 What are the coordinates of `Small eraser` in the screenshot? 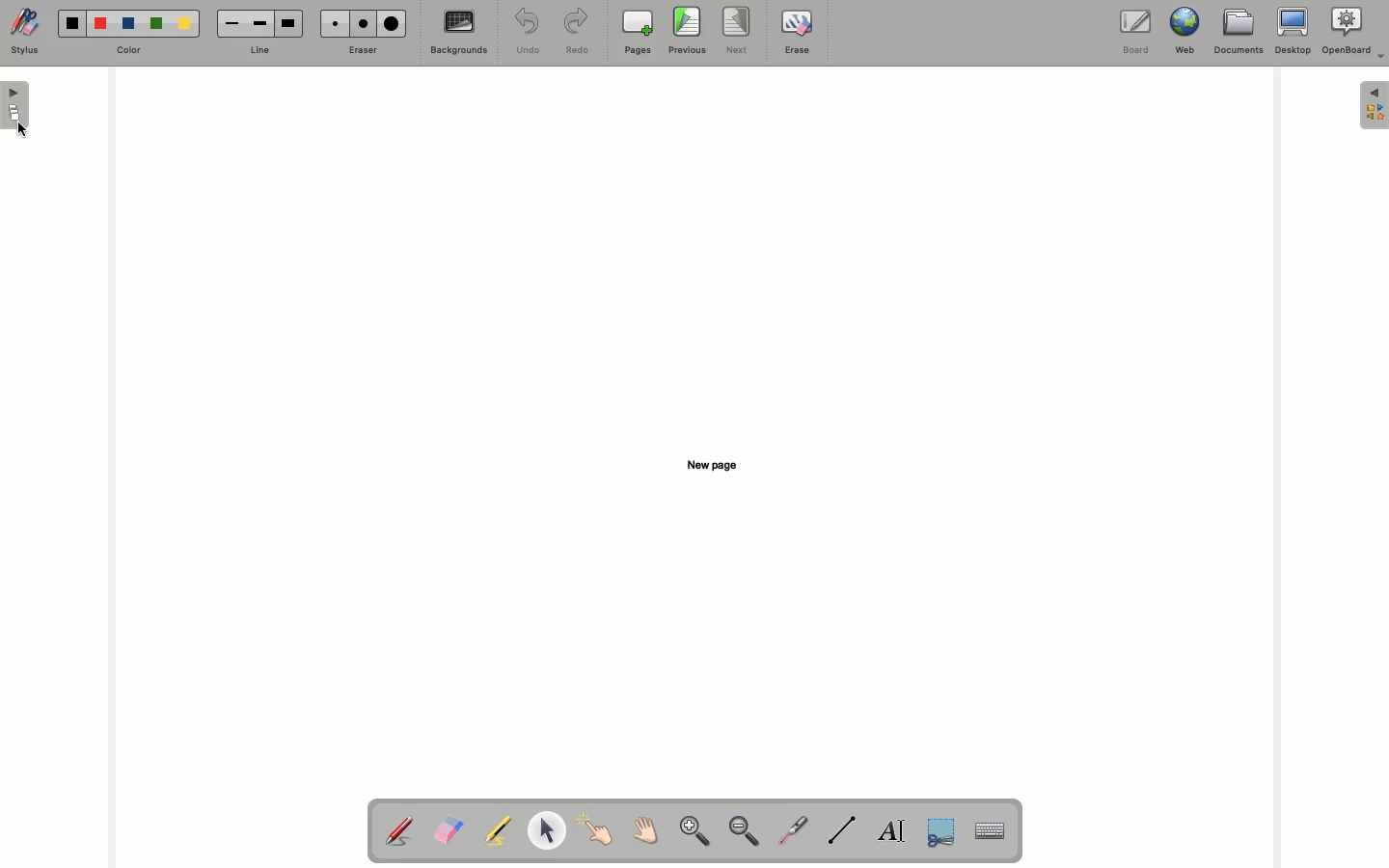 It's located at (333, 23).